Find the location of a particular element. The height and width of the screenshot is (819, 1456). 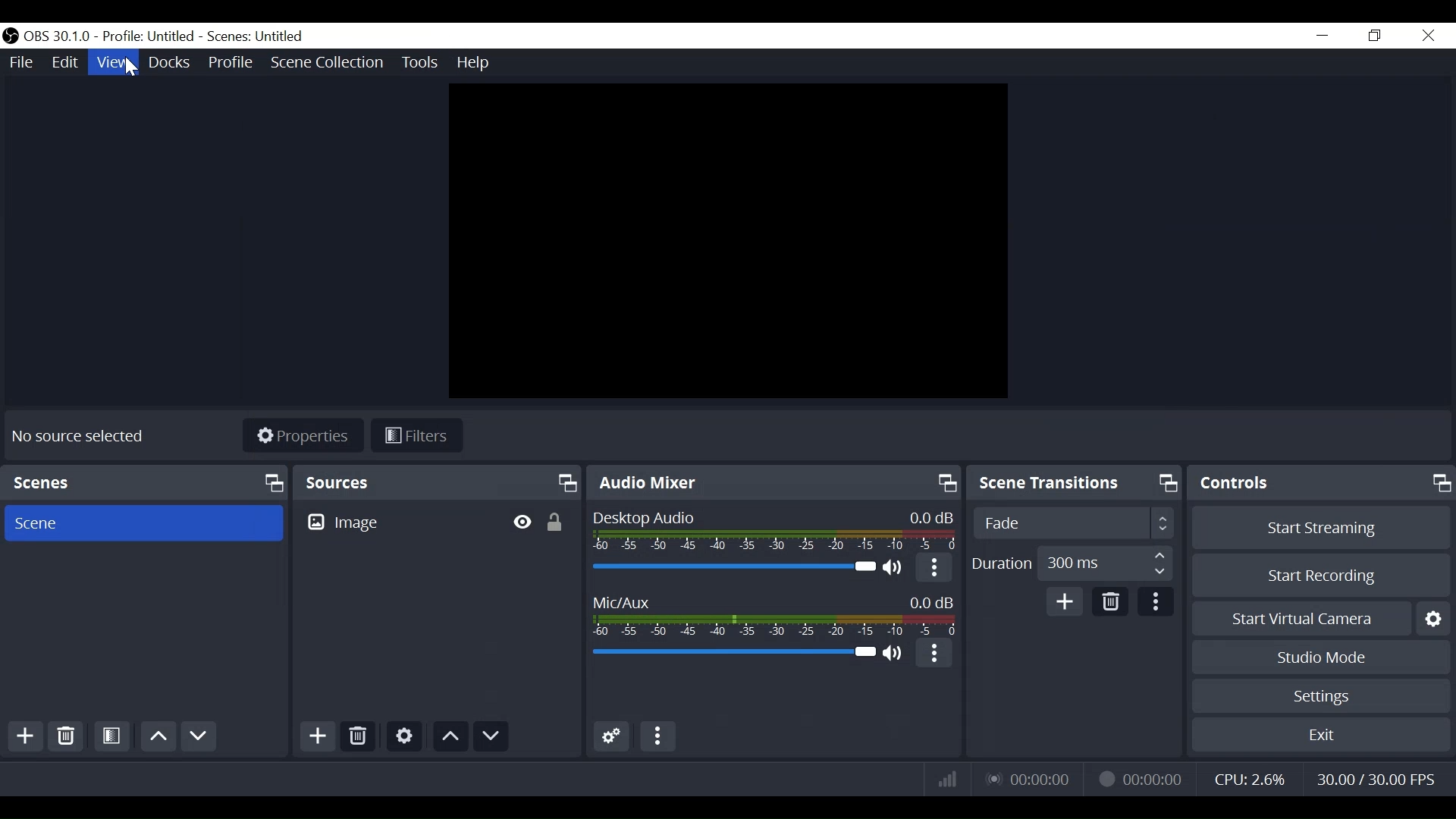

Help is located at coordinates (477, 61).